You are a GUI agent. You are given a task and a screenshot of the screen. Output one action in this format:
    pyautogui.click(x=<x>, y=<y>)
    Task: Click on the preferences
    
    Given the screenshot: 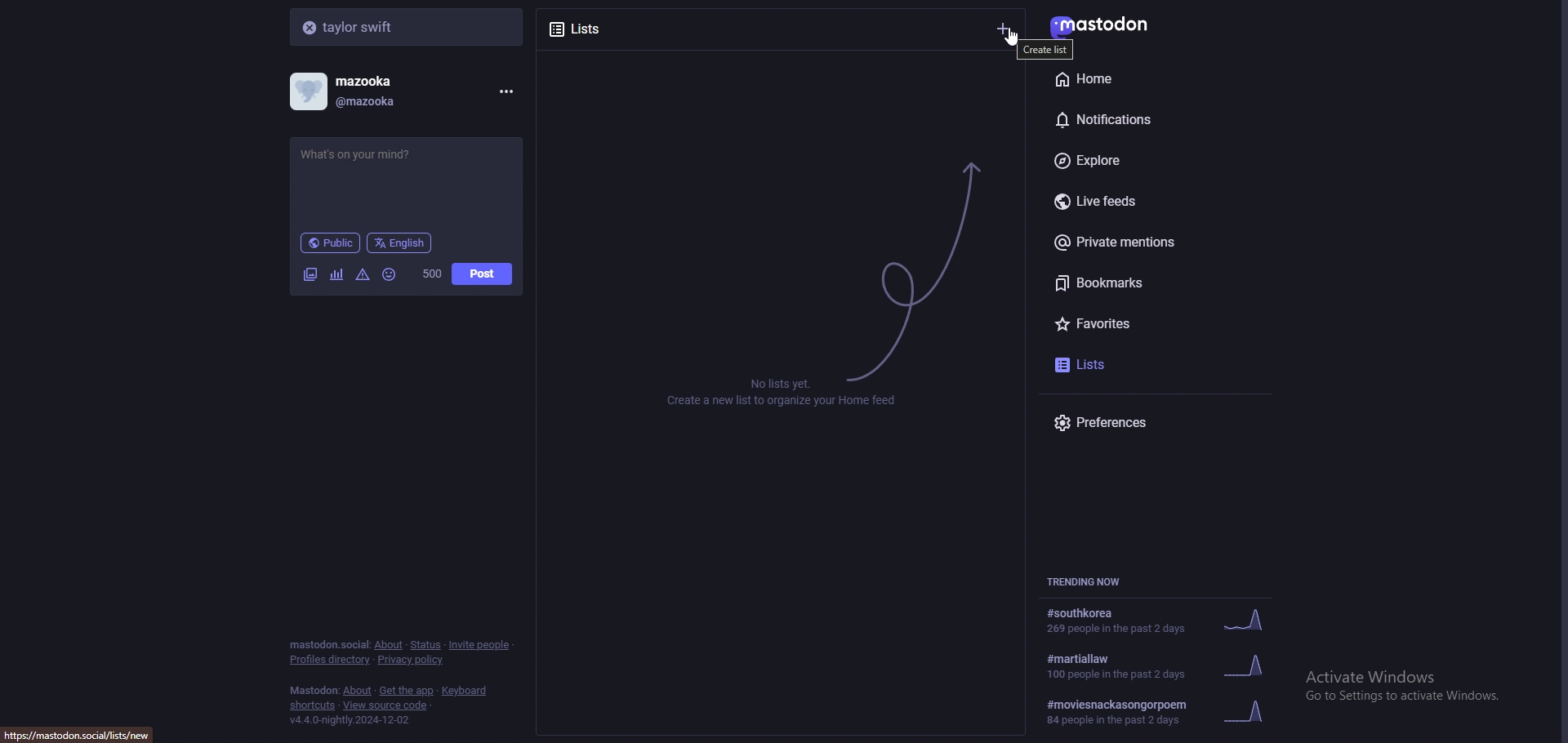 What is the action you would take?
    pyautogui.click(x=1160, y=422)
    